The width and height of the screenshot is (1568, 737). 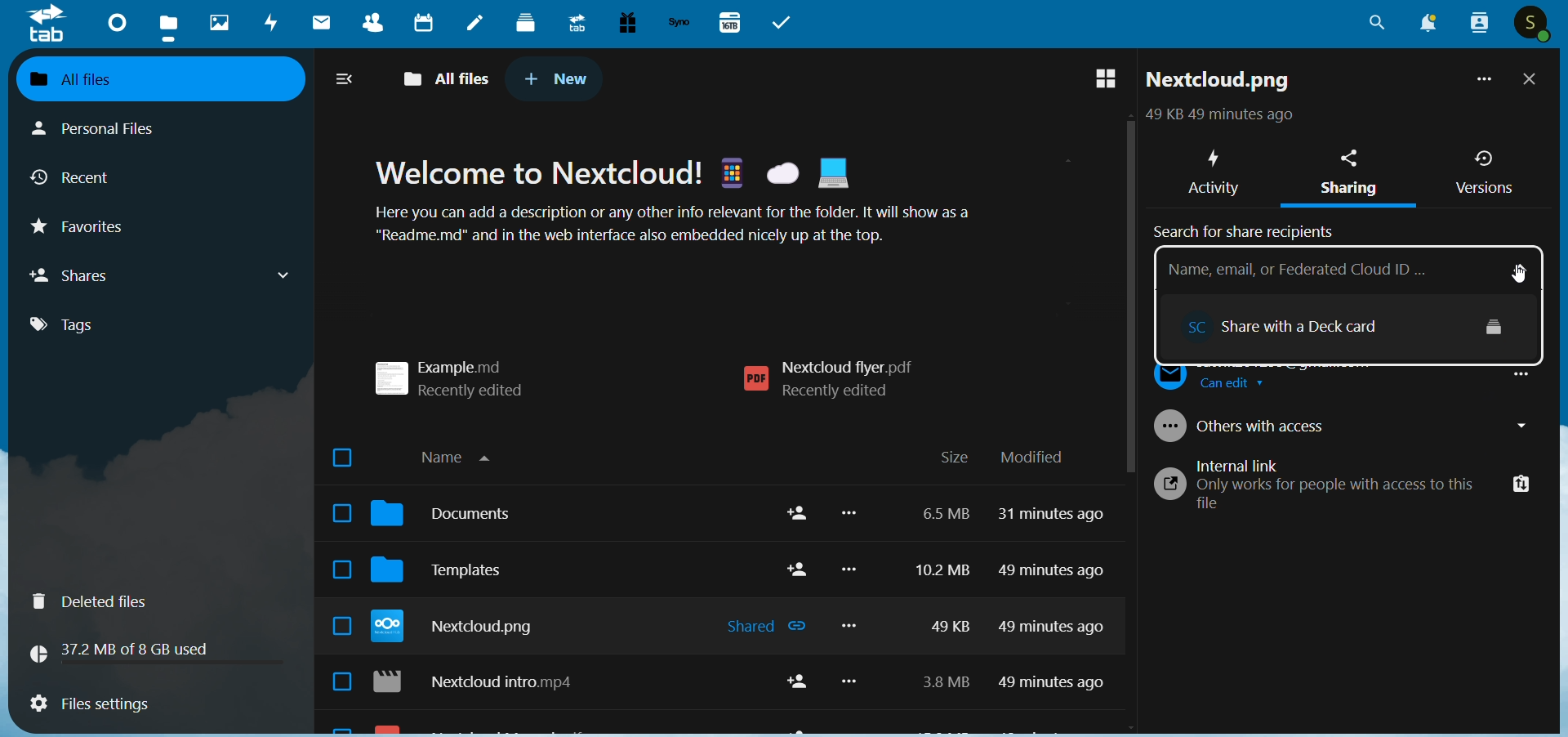 What do you see at coordinates (163, 275) in the screenshot?
I see `shares` at bounding box center [163, 275].